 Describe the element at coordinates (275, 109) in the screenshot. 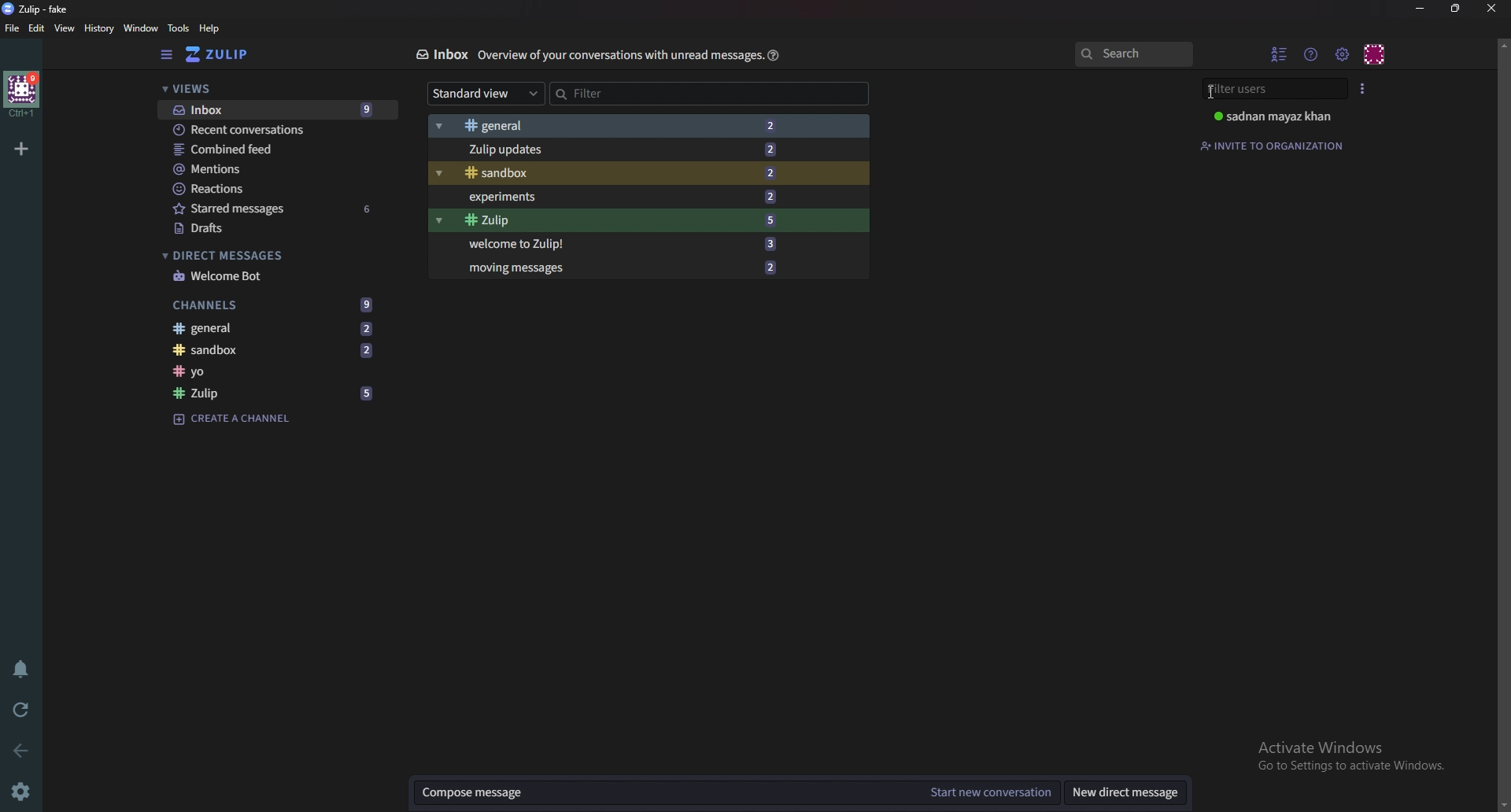

I see `Inbox` at that location.